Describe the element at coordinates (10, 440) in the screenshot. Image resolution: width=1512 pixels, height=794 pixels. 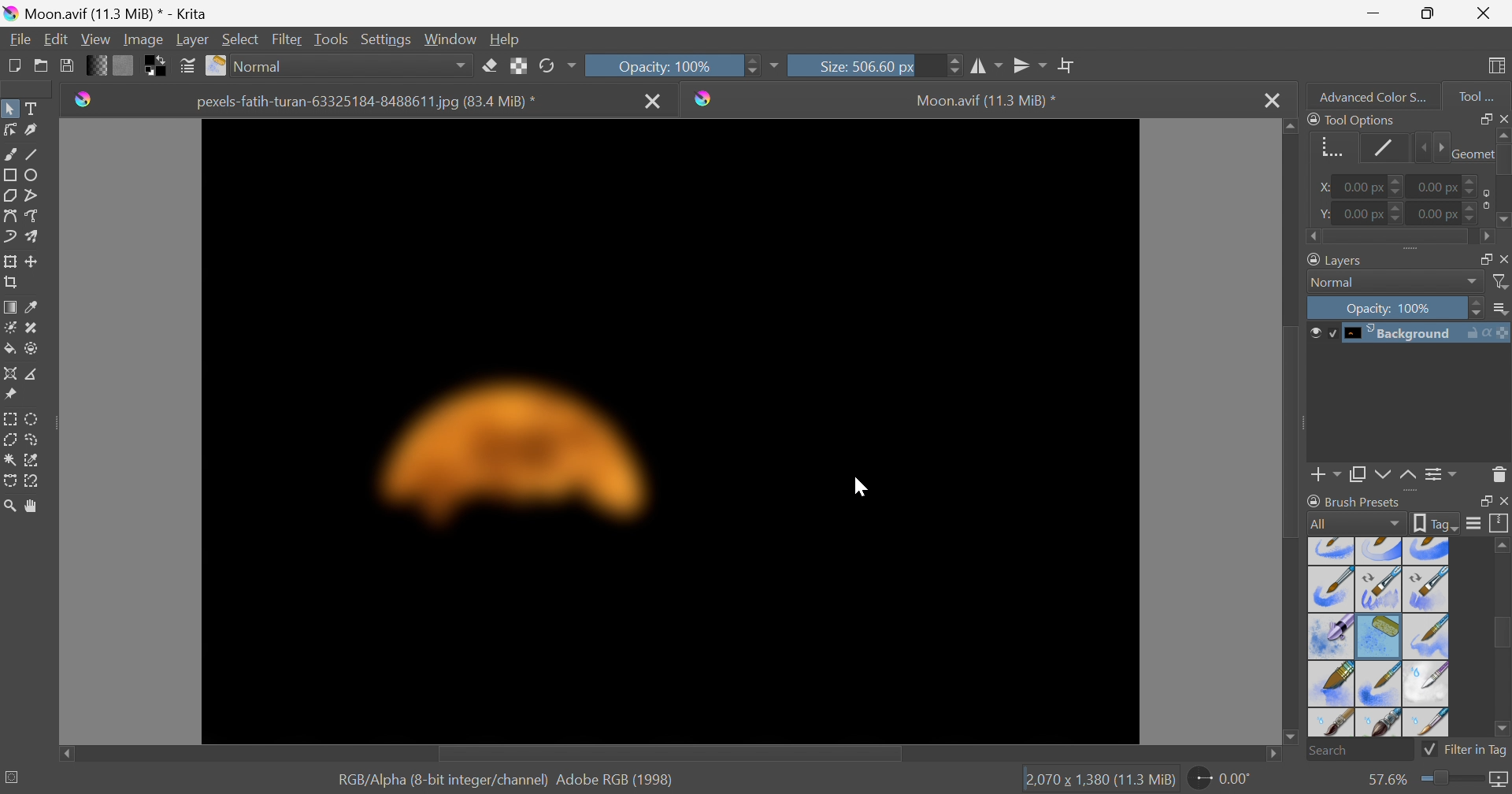
I see `Polygonal selection tool` at that location.